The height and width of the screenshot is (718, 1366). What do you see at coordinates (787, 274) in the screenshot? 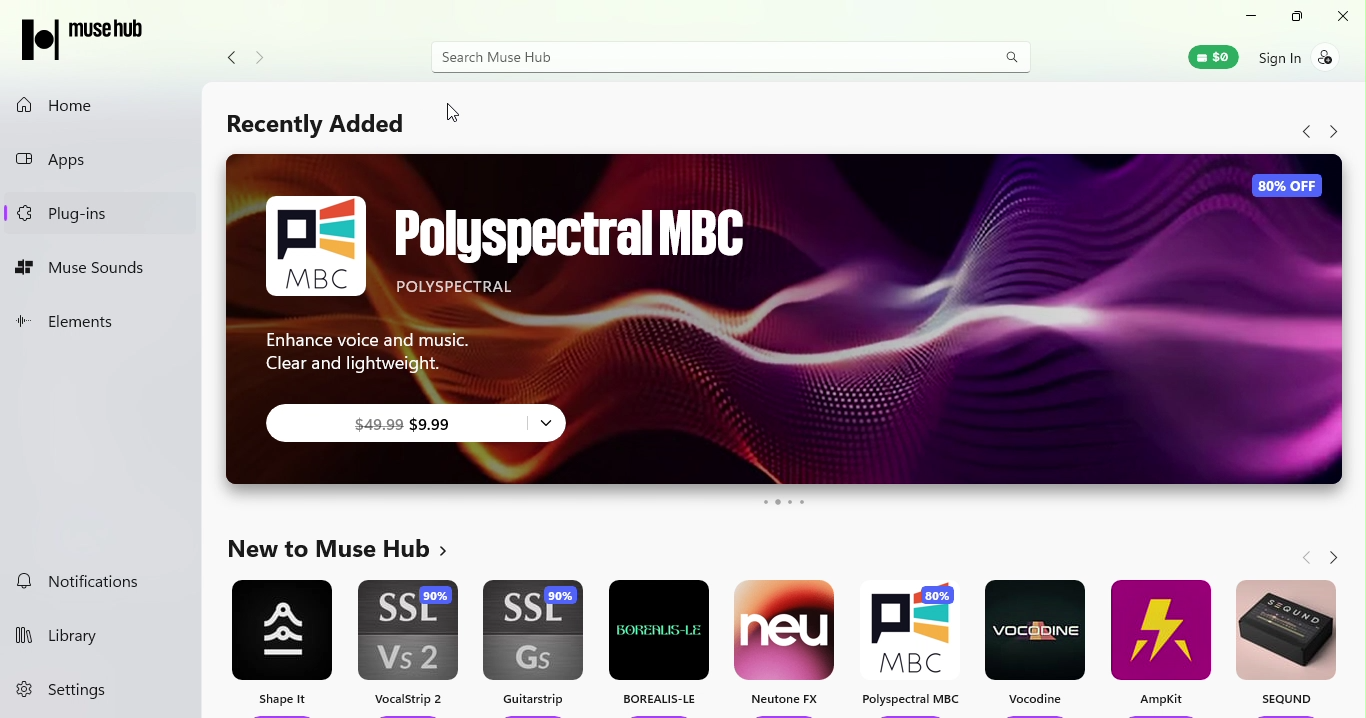
I see `Polyspectral MBC ad` at bounding box center [787, 274].